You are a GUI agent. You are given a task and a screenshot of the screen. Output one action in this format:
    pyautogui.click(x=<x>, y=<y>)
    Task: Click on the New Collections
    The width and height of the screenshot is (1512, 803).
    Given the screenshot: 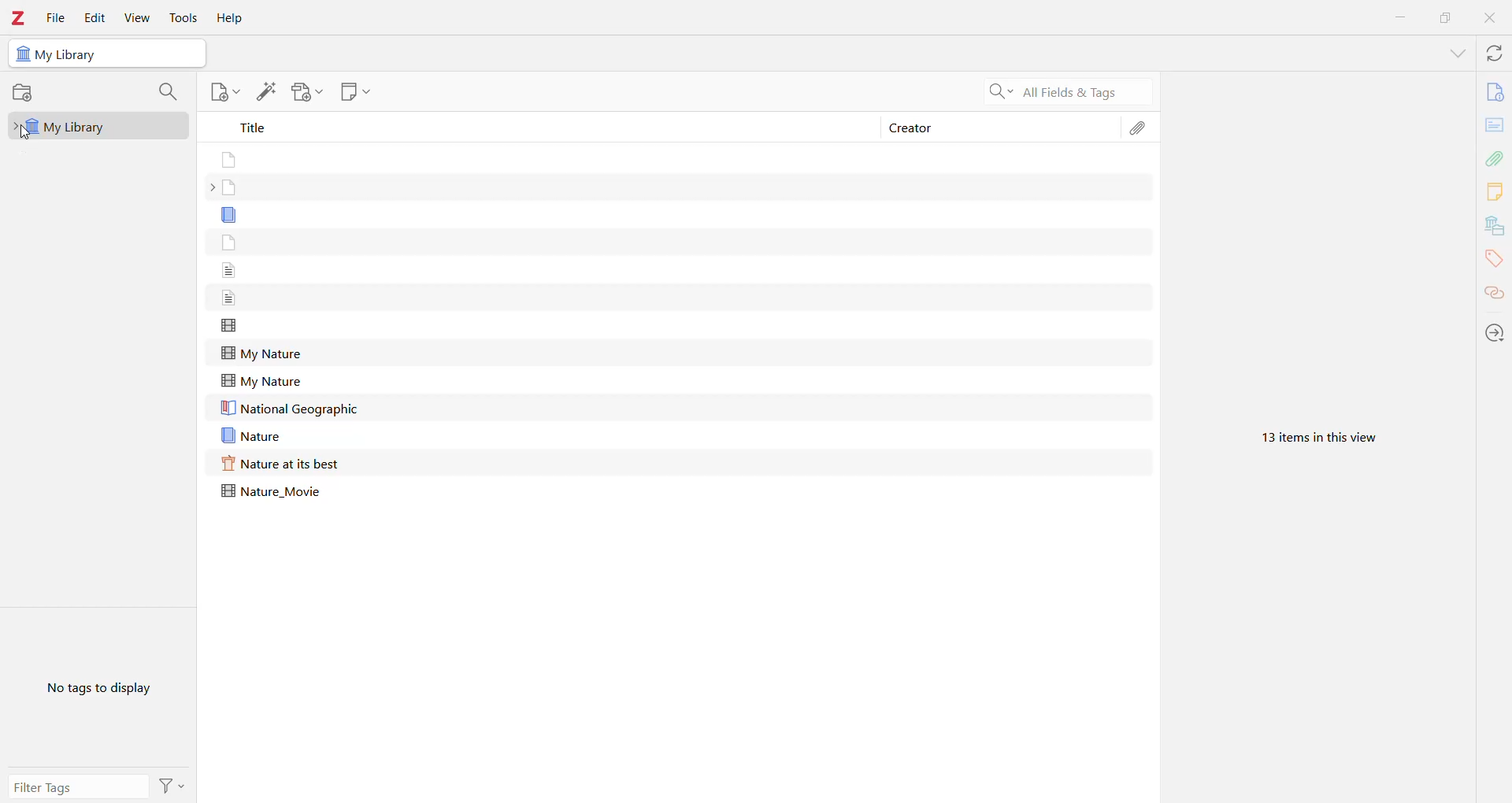 What is the action you would take?
    pyautogui.click(x=24, y=91)
    